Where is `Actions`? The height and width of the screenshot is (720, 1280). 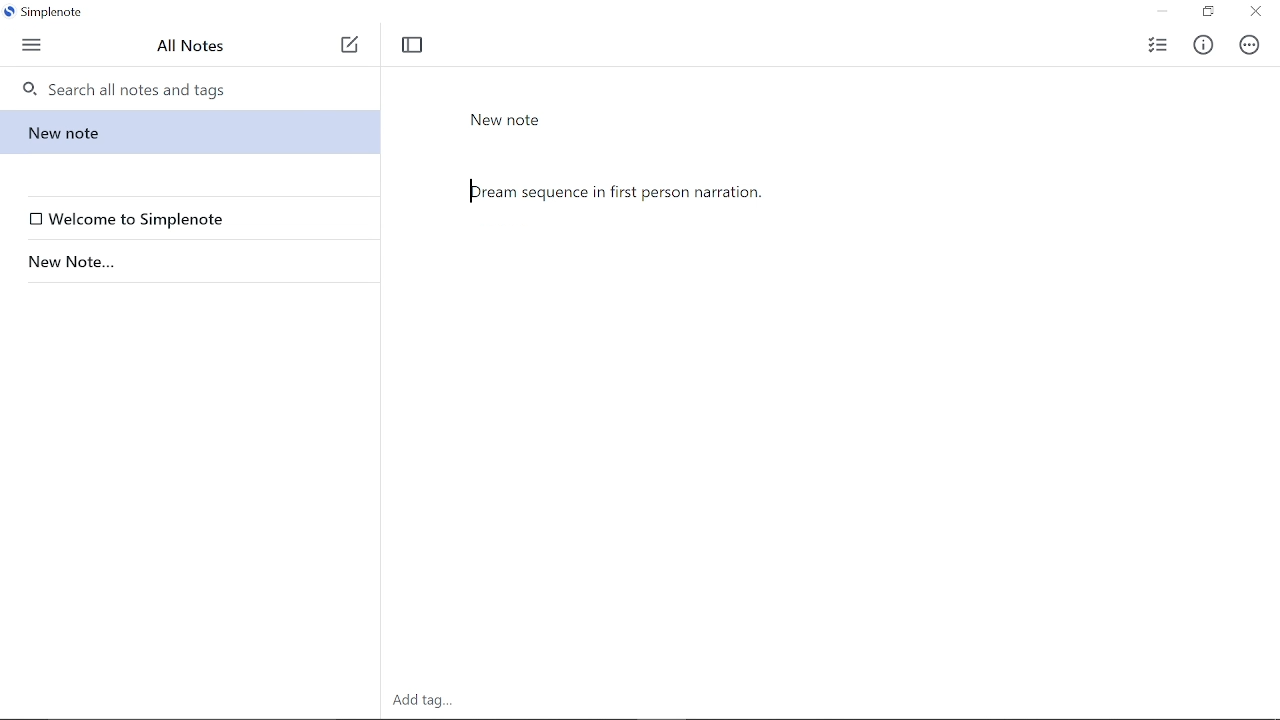 Actions is located at coordinates (1250, 45).